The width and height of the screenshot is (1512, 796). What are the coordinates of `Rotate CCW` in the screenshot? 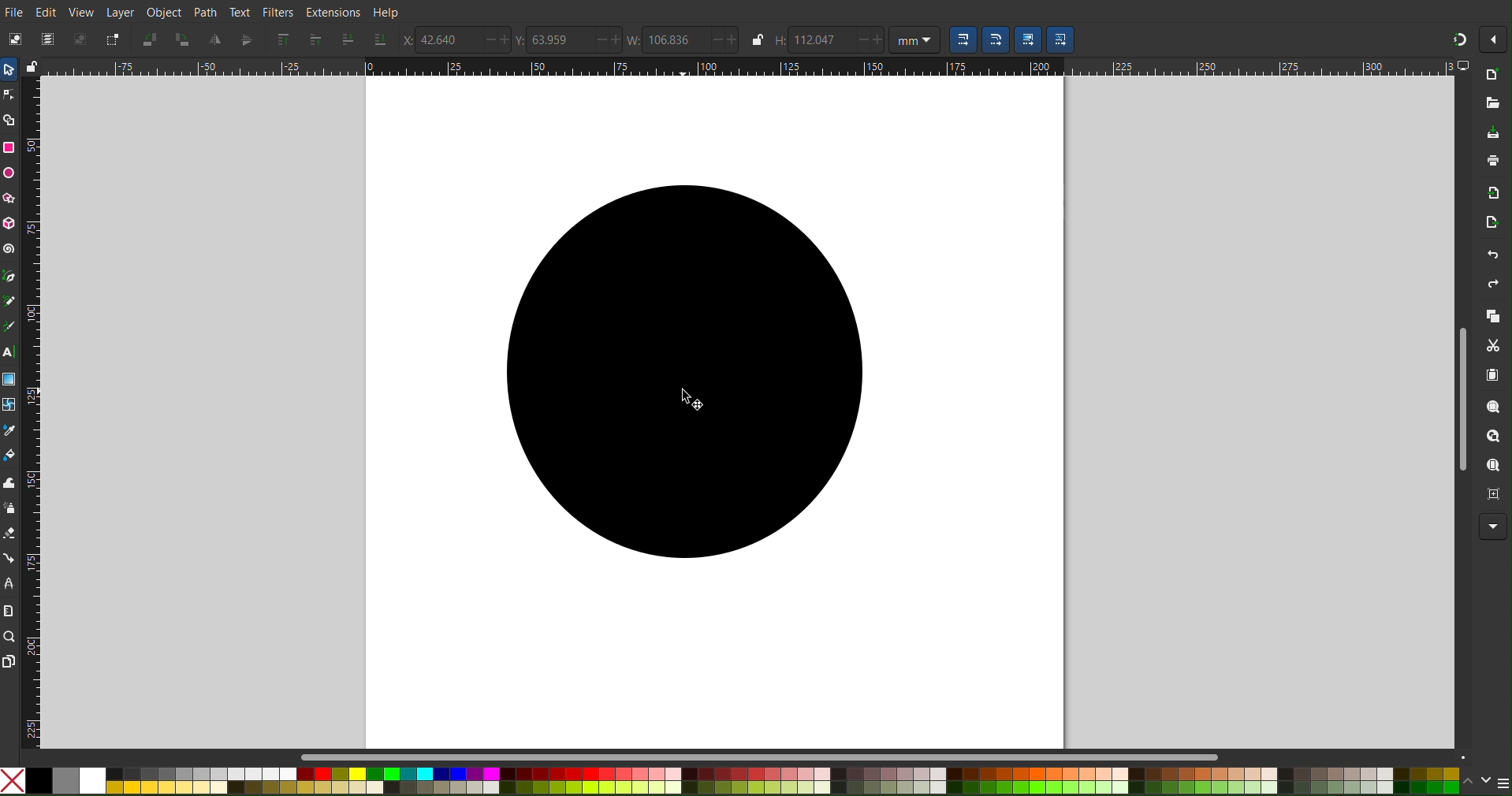 It's located at (150, 39).